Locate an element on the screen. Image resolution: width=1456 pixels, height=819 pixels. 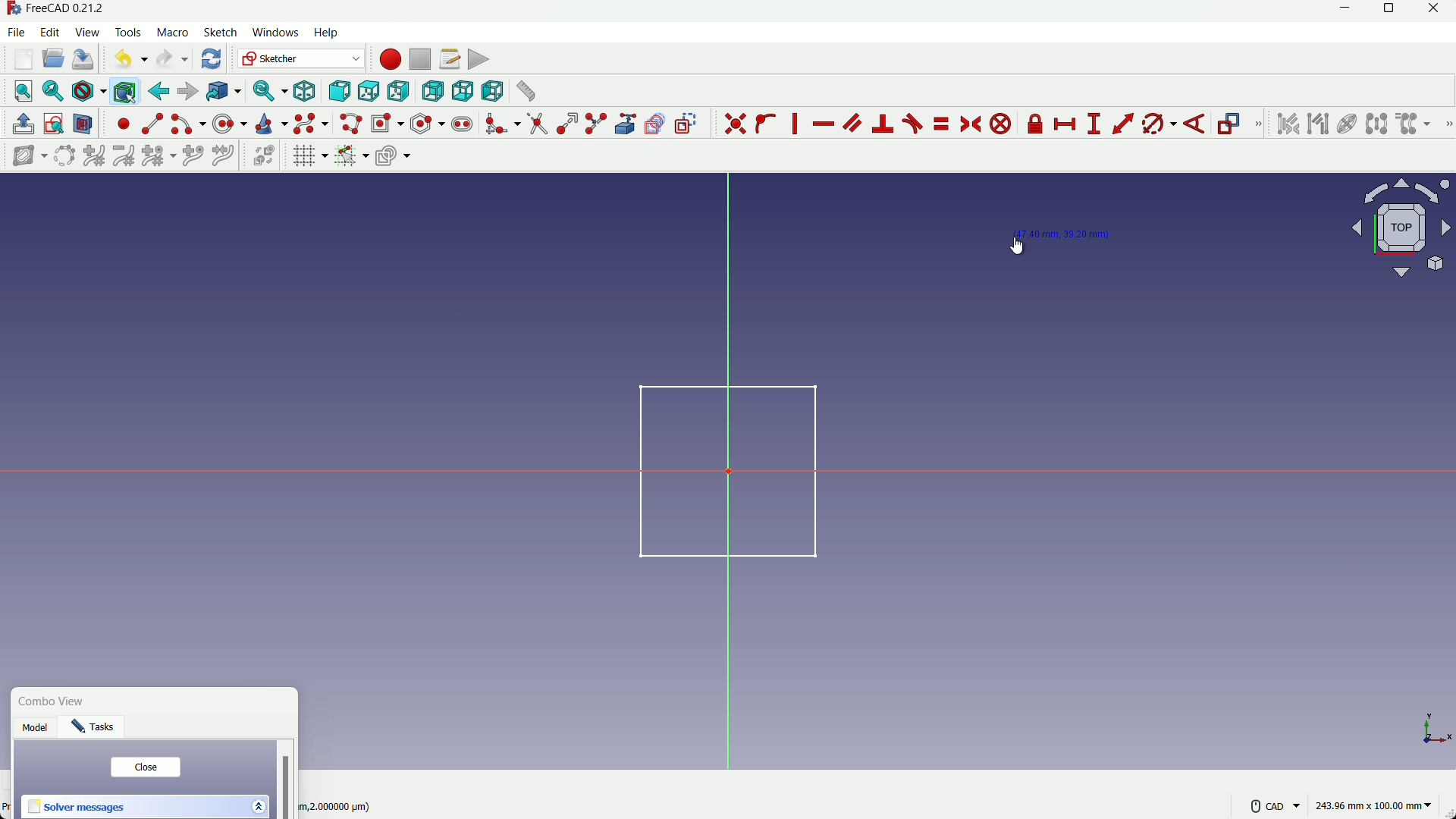
isometric view is located at coordinates (305, 92).